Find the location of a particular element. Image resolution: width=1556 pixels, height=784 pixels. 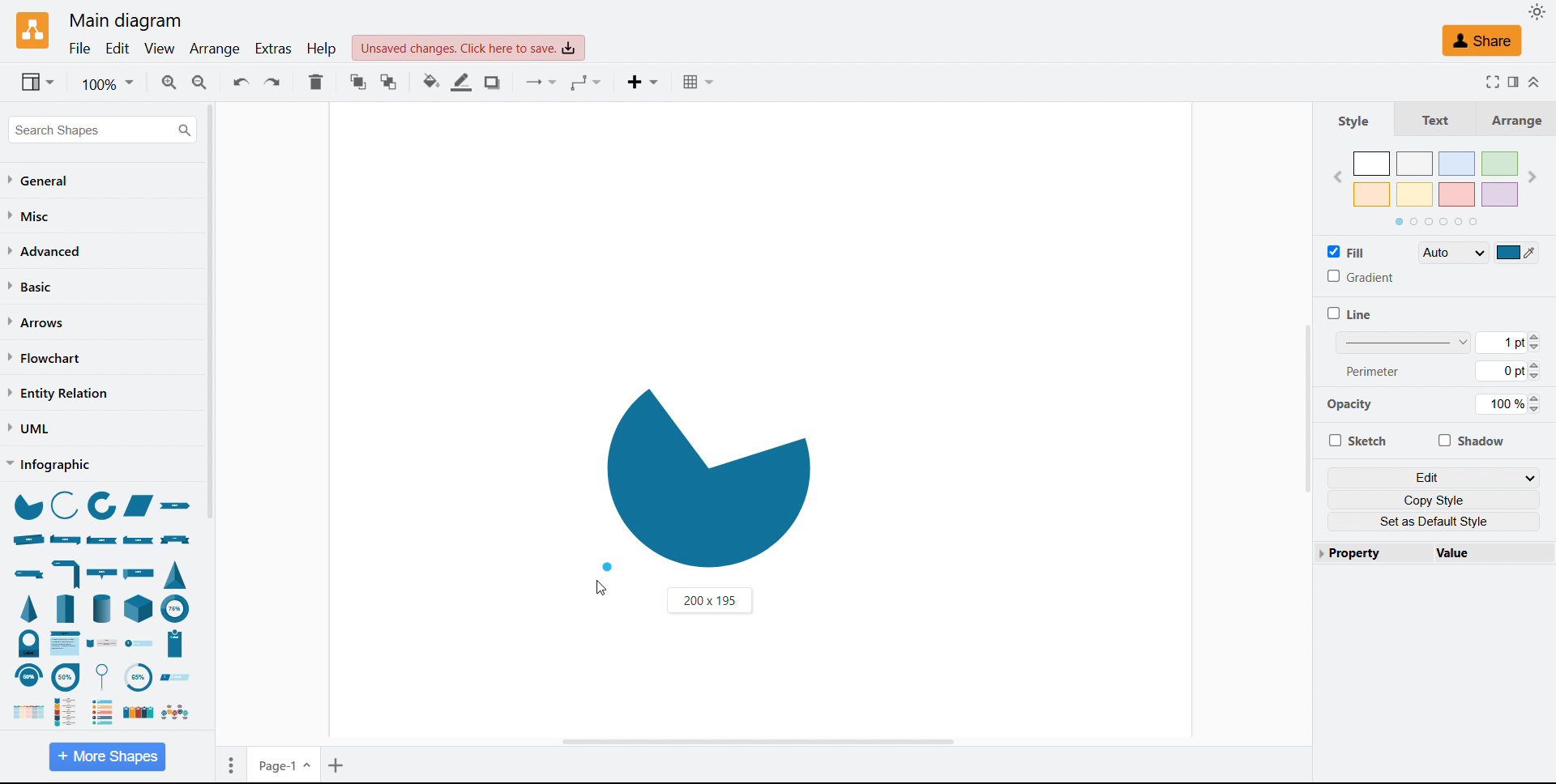

Colour palettes  is located at coordinates (1437, 179).